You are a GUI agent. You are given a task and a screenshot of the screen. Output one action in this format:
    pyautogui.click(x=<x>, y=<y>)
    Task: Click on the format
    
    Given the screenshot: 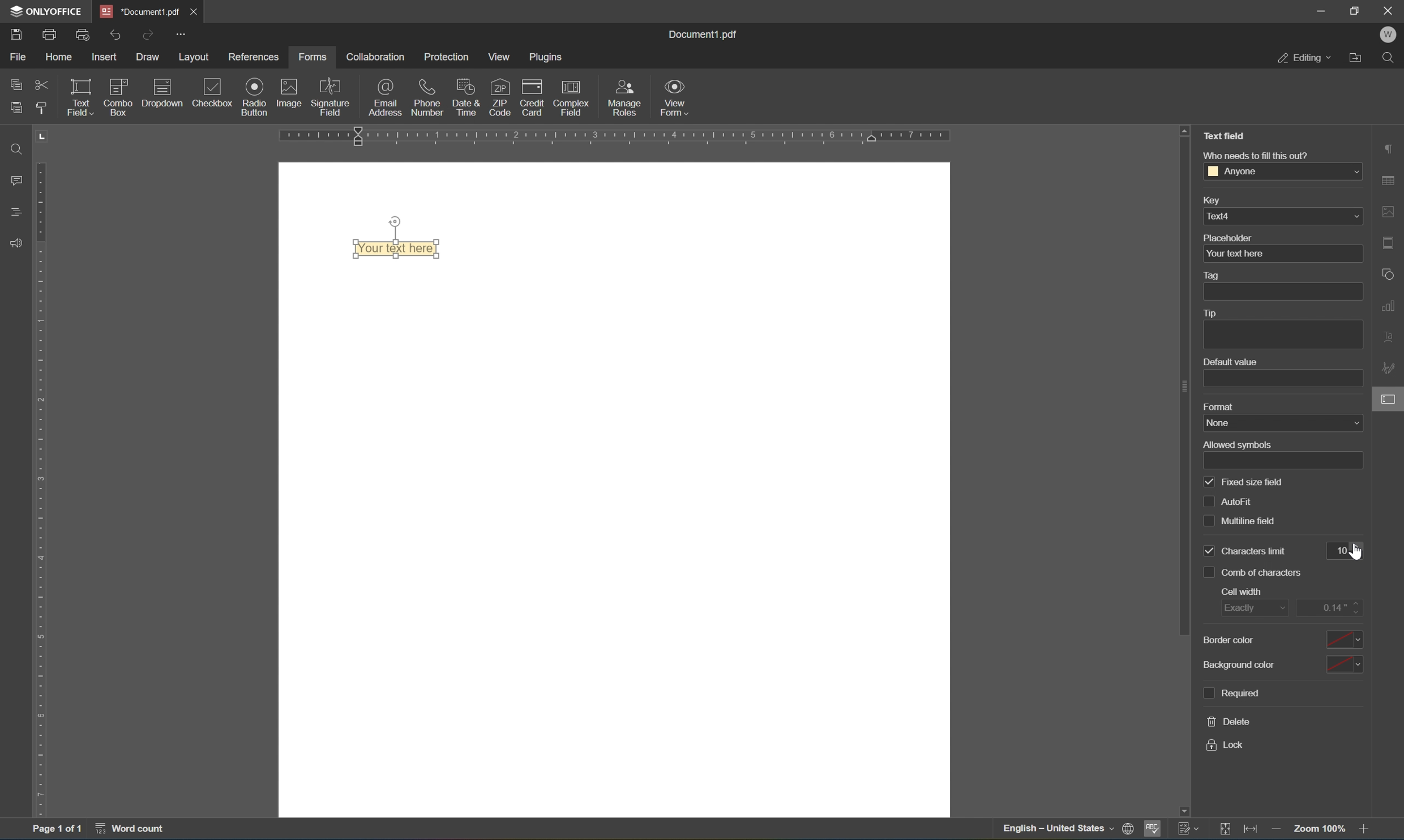 What is the action you would take?
    pyautogui.click(x=1219, y=406)
    